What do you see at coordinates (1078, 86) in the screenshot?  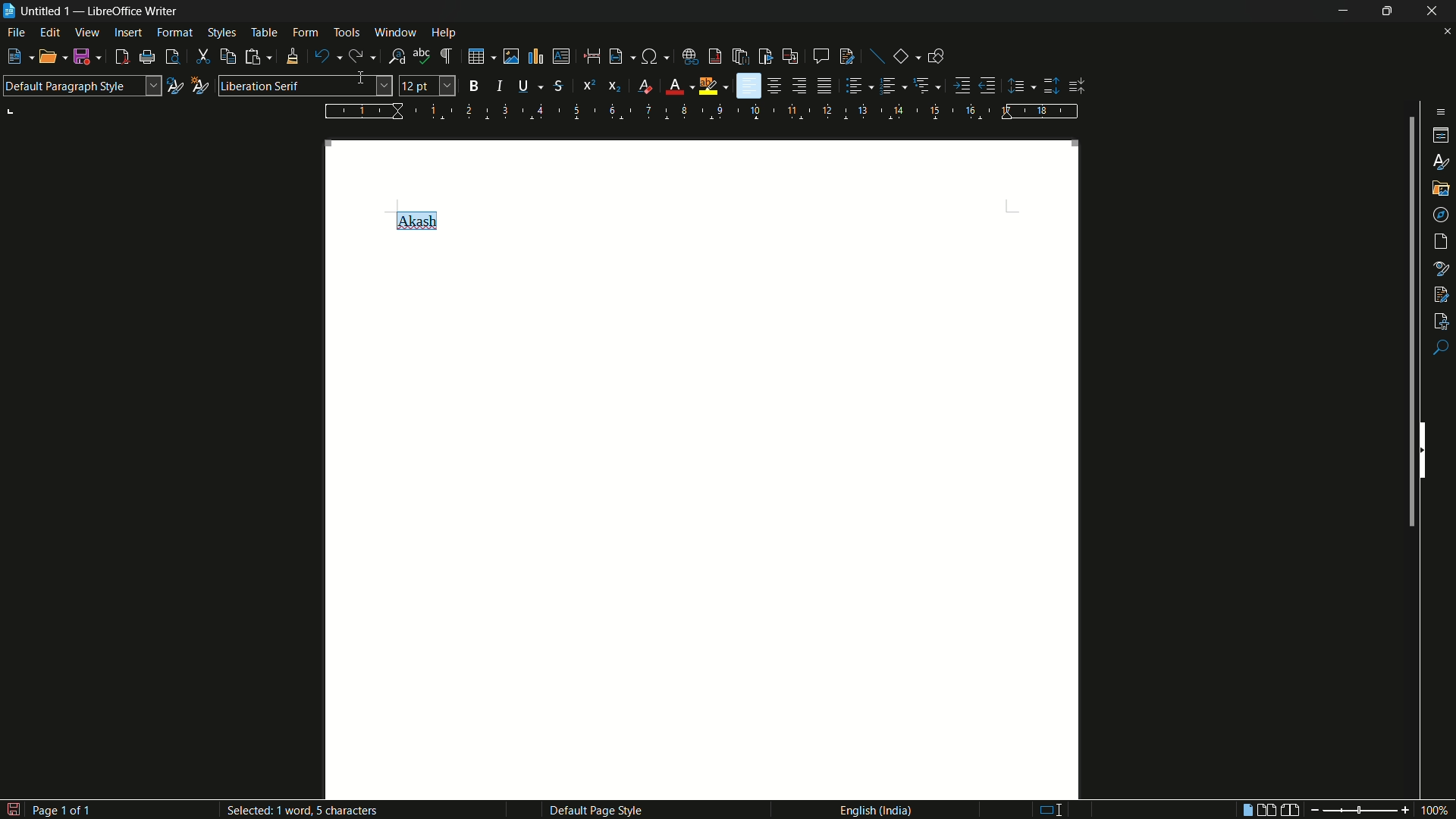 I see `decrease paragraph spacing` at bounding box center [1078, 86].